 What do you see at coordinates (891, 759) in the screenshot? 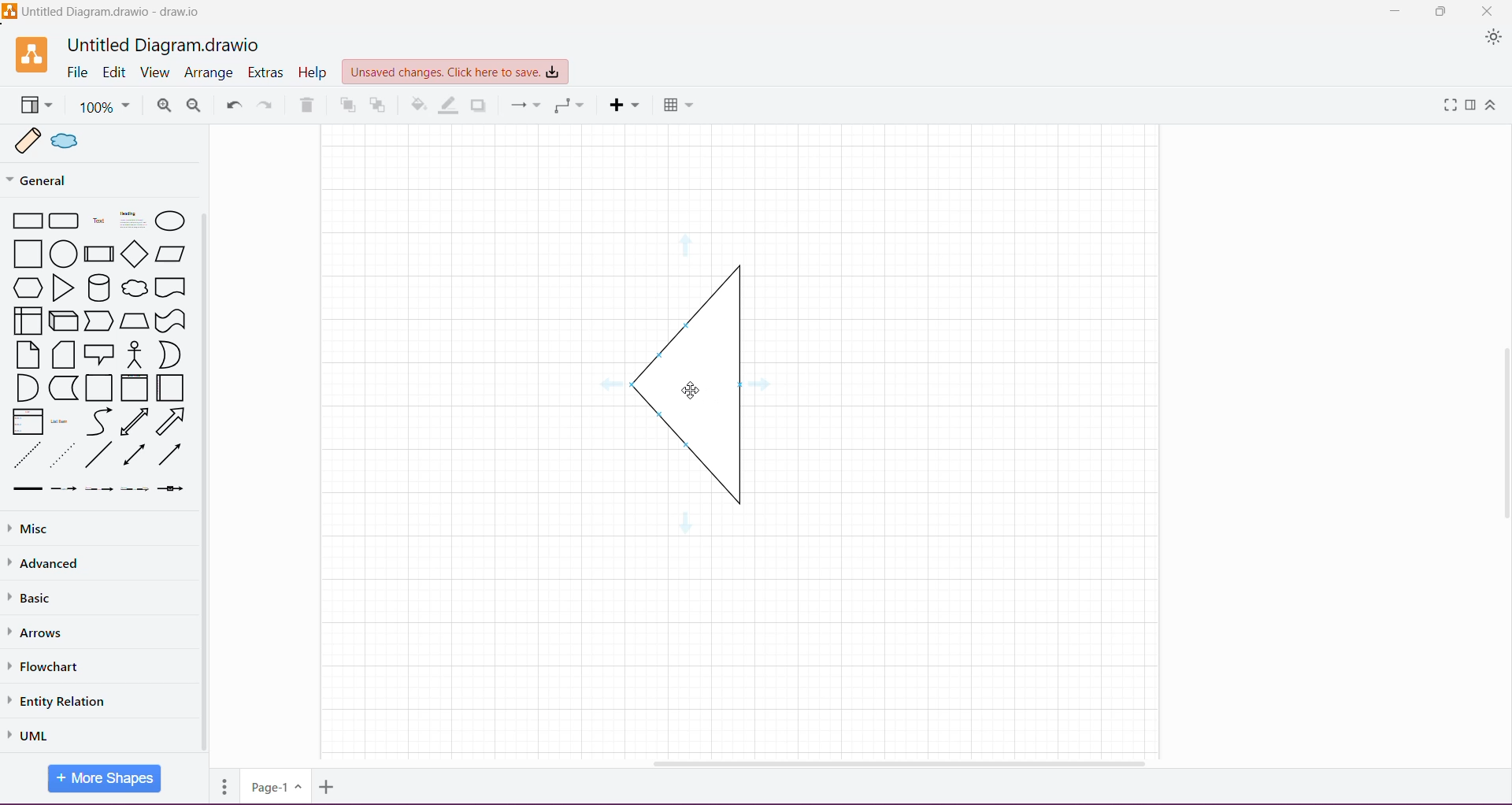
I see `Horizontal Scroll Bar` at bounding box center [891, 759].